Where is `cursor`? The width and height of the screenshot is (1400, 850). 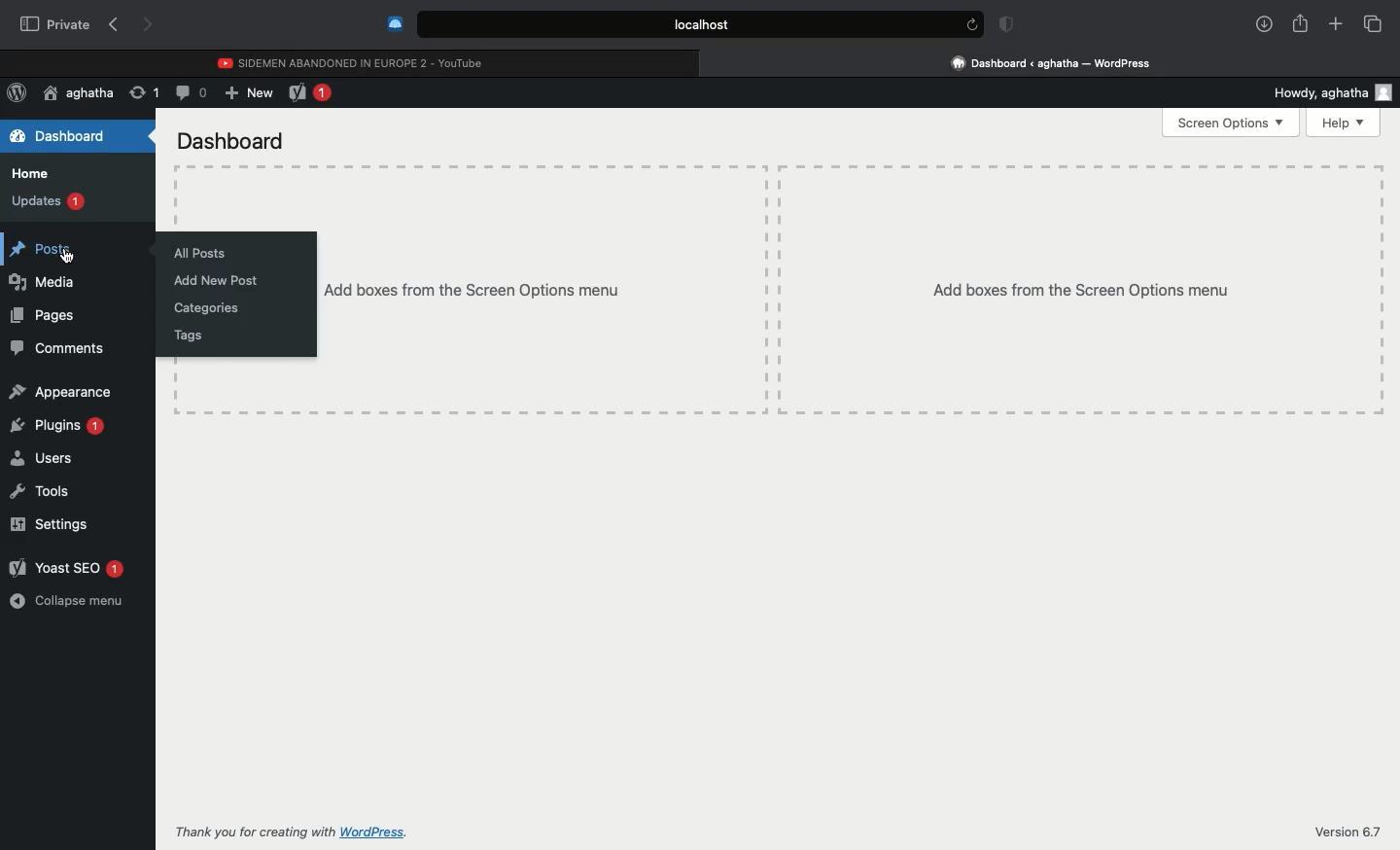
cursor is located at coordinates (64, 256).